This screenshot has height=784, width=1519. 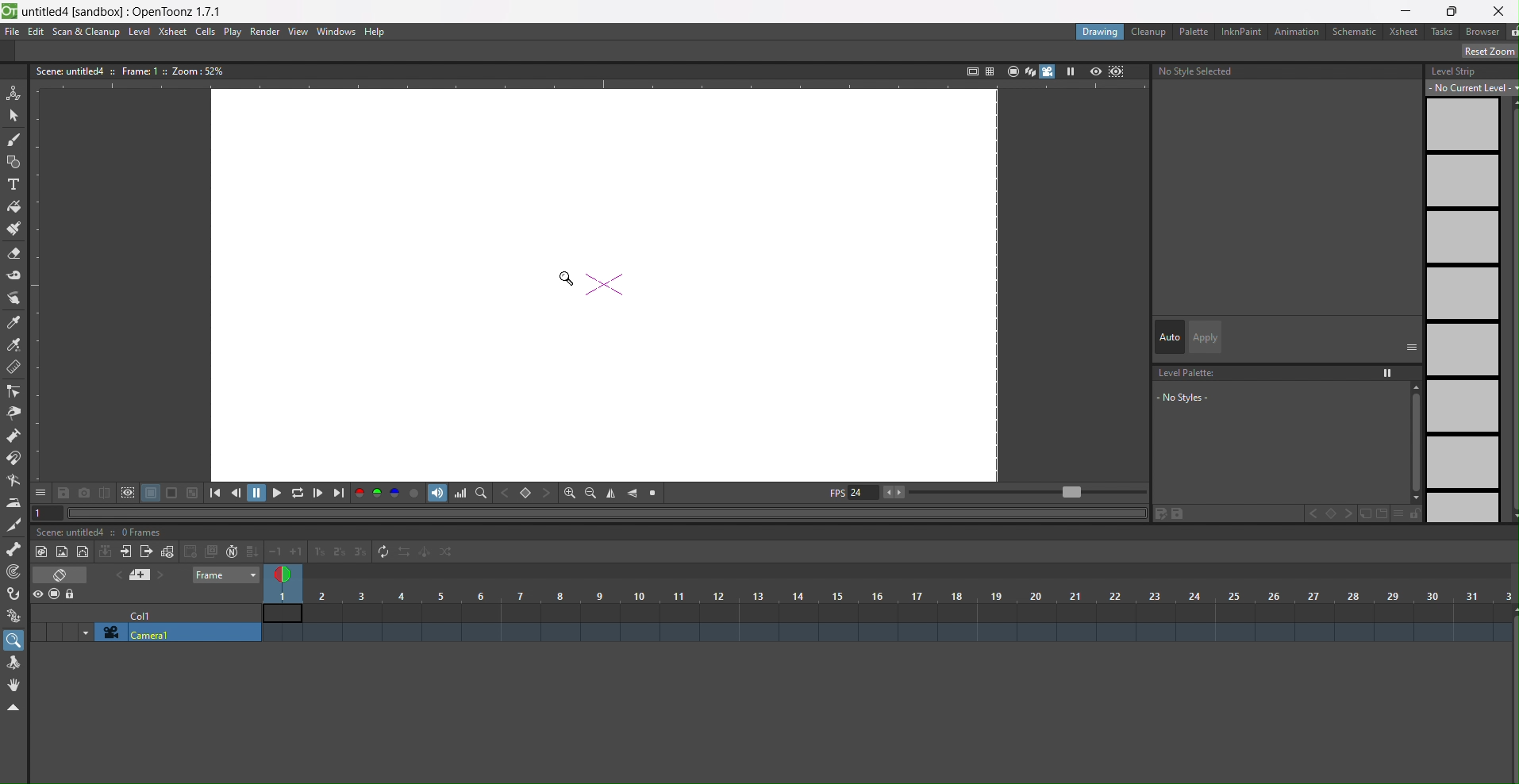 What do you see at coordinates (15, 391) in the screenshot?
I see `control point editor tool` at bounding box center [15, 391].